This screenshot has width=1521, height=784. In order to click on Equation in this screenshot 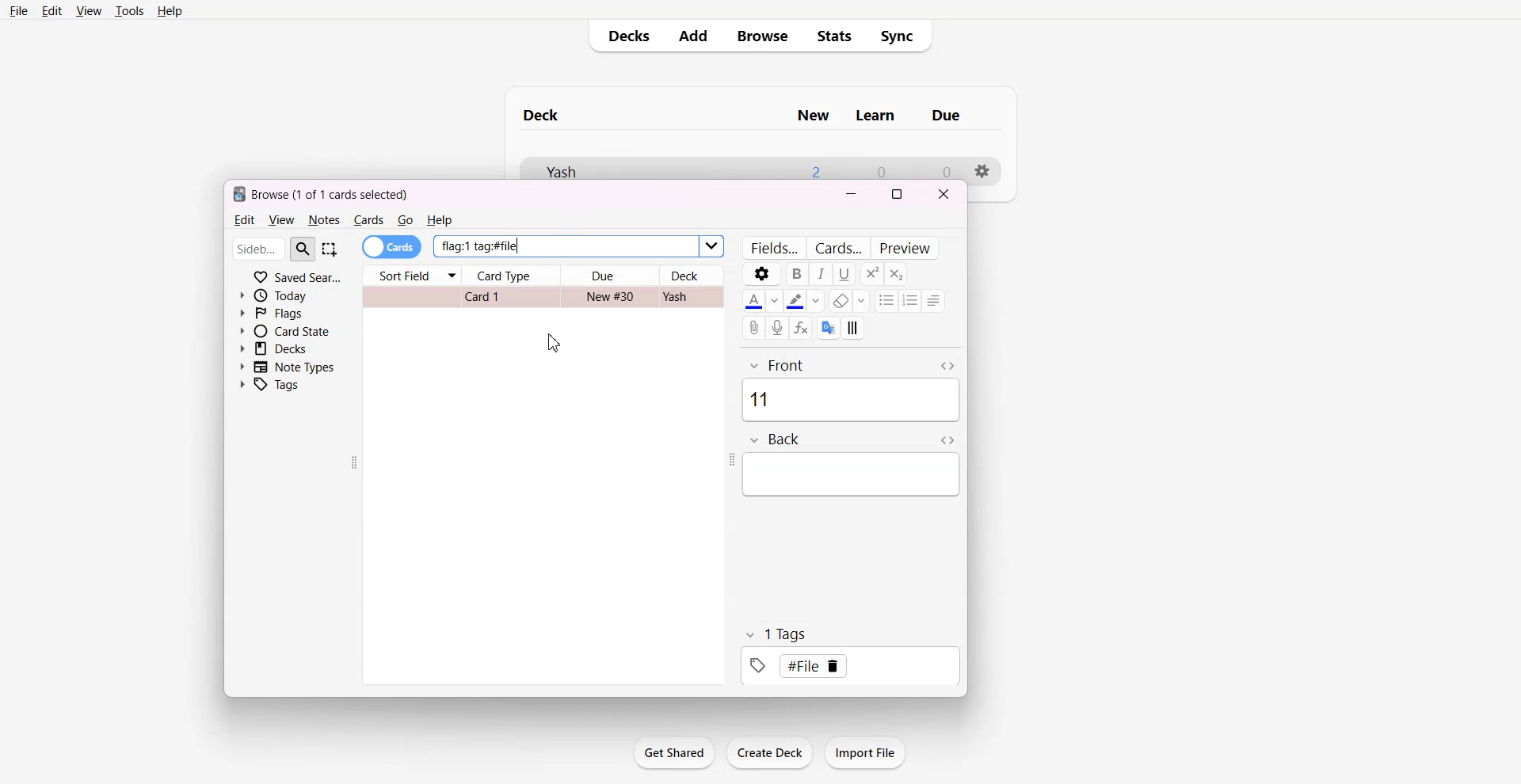, I will do `click(803, 327)`.